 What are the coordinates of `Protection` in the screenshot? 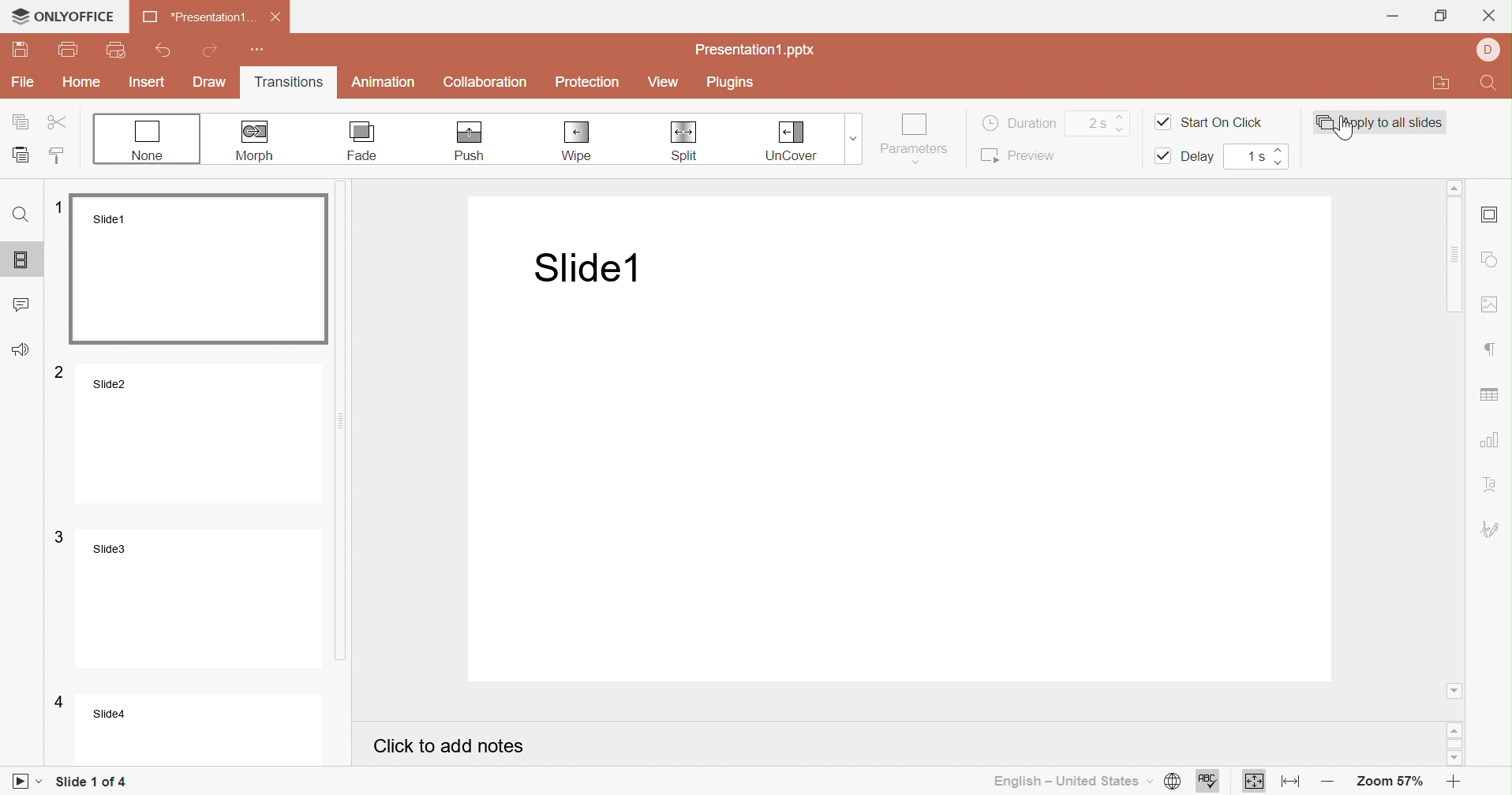 It's located at (588, 84).